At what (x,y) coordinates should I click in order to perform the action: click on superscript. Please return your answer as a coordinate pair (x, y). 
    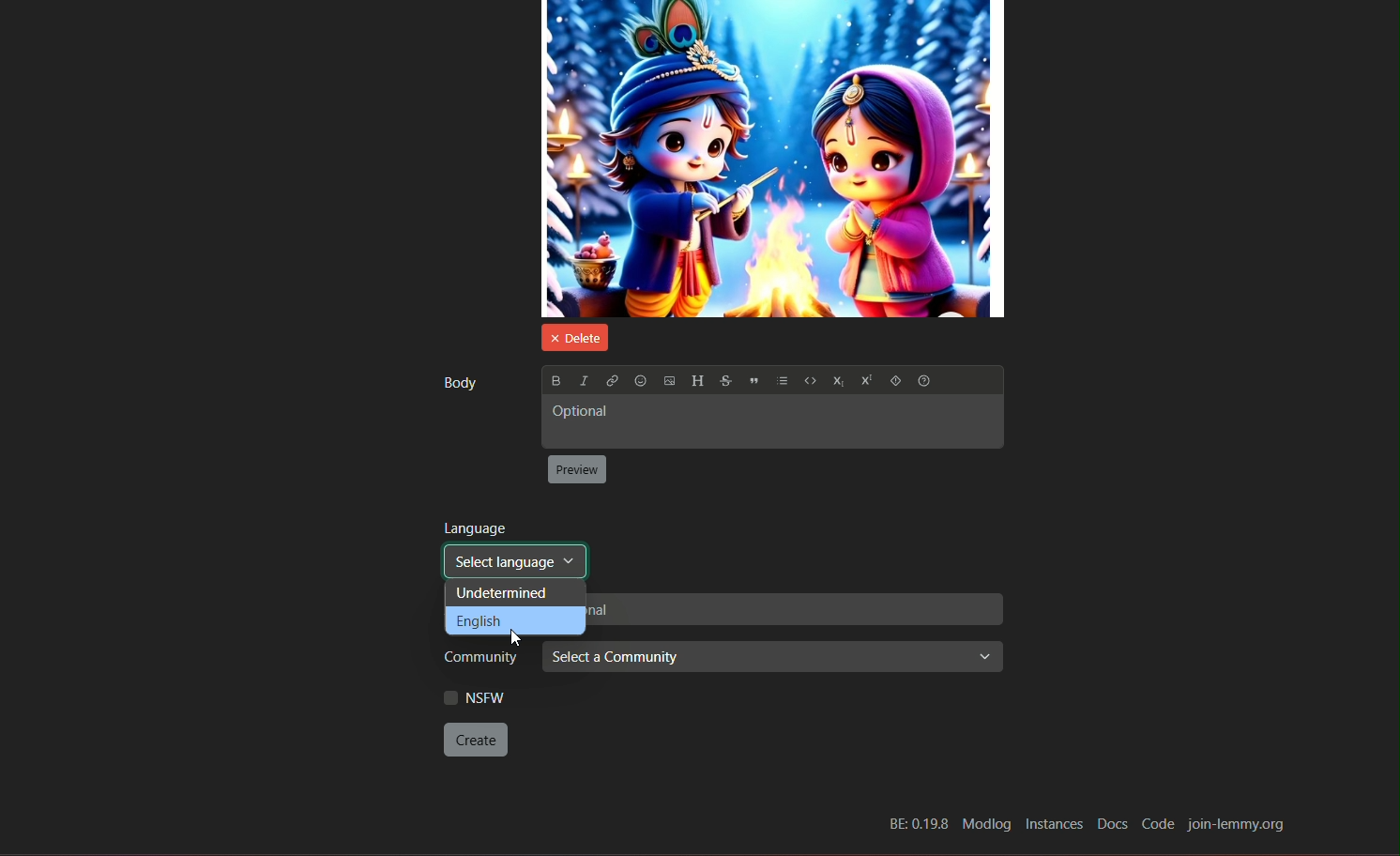
    Looking at the image, I should click on (864, 382).